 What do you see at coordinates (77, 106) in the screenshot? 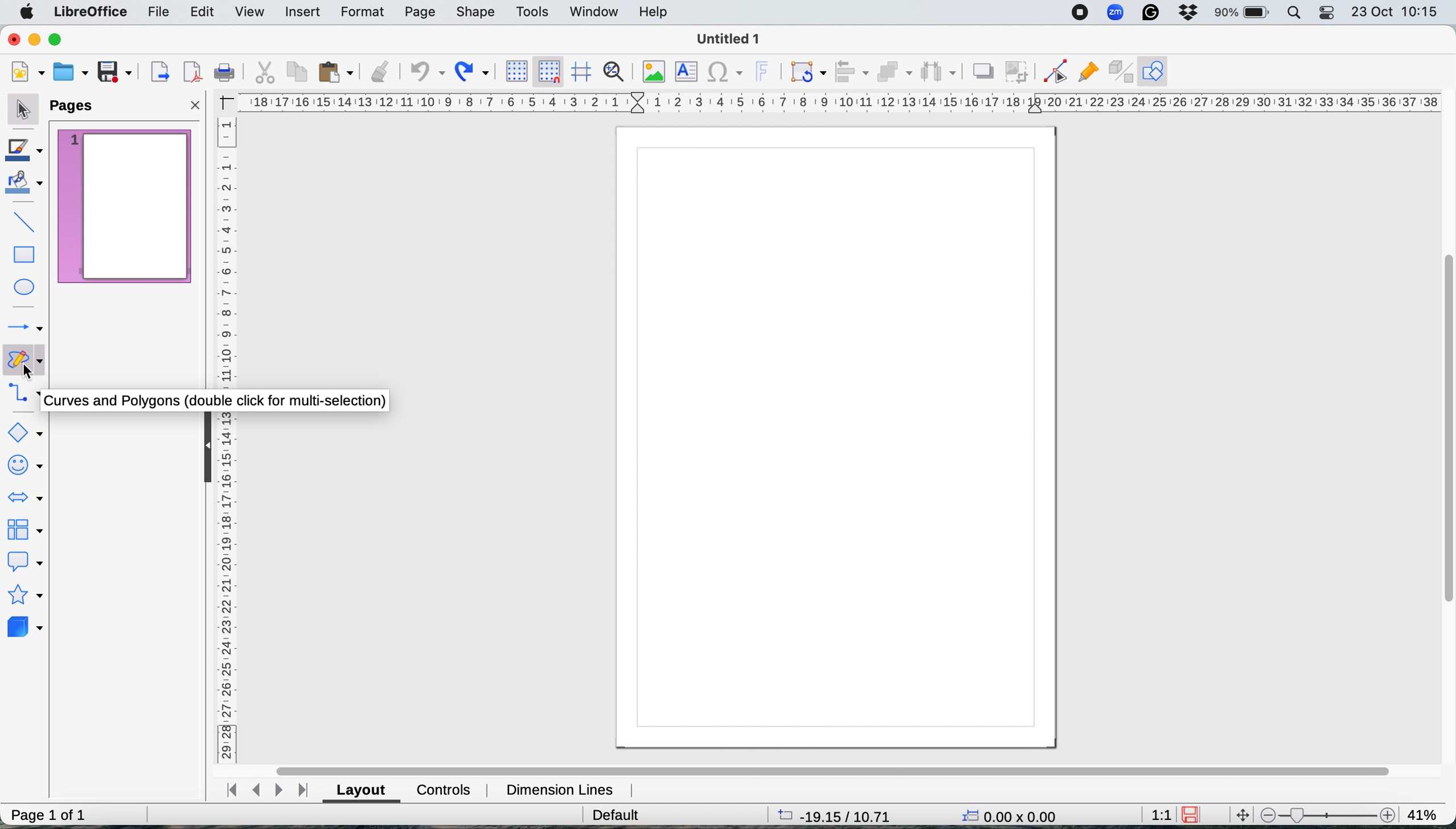
I see `pages` at bounding box center [77, 106].